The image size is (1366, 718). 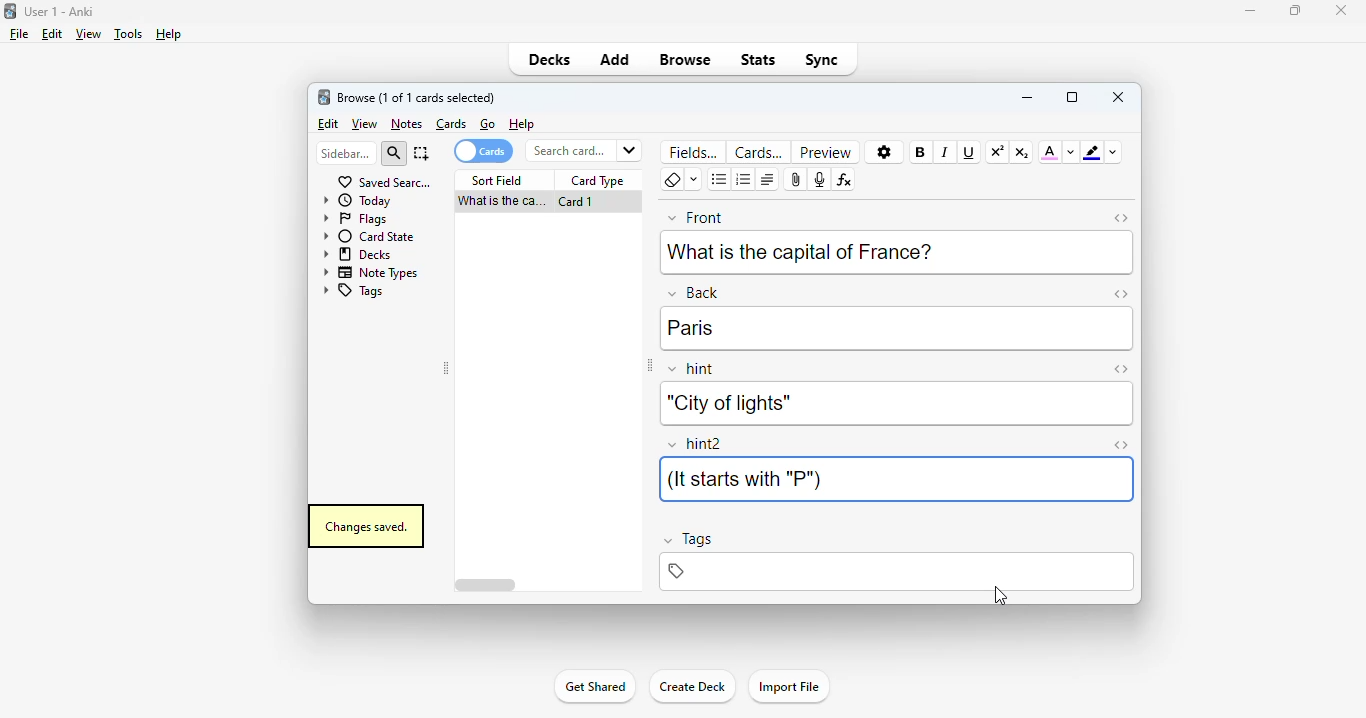 I want to click on cards, so click(x=482, y=151).